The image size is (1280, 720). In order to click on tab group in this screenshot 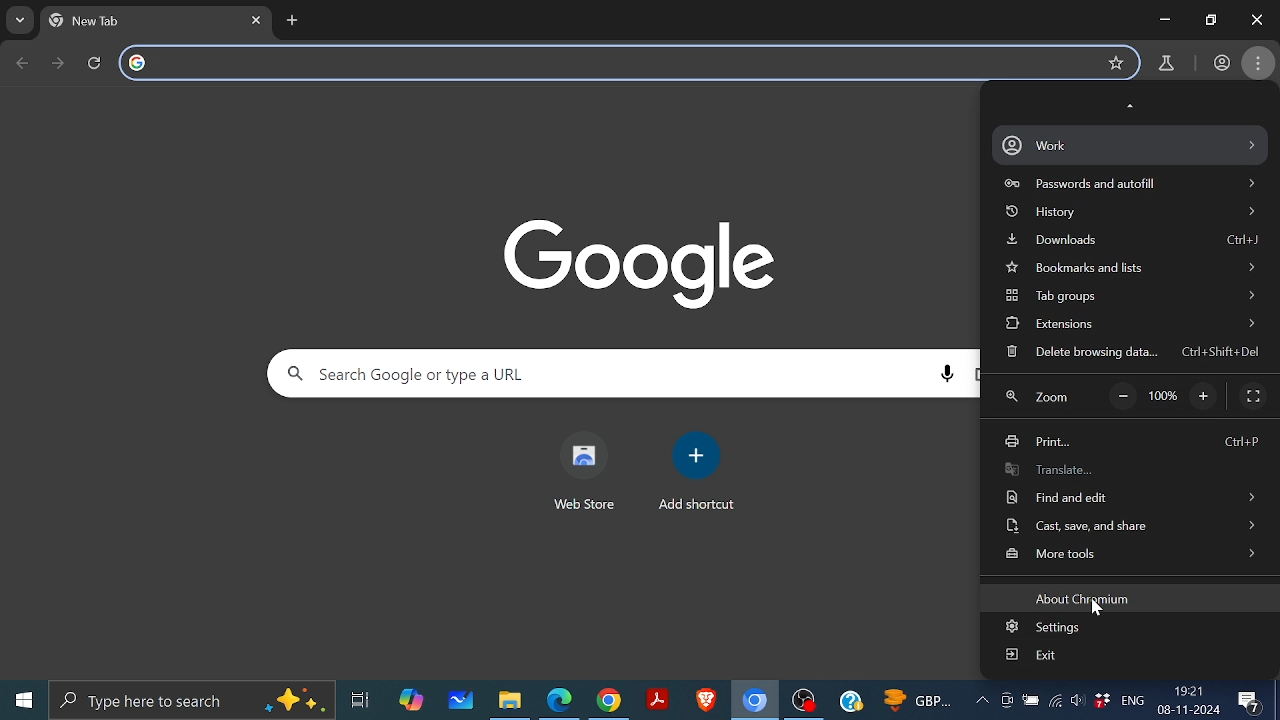, I will do `click(1132, 296)`.